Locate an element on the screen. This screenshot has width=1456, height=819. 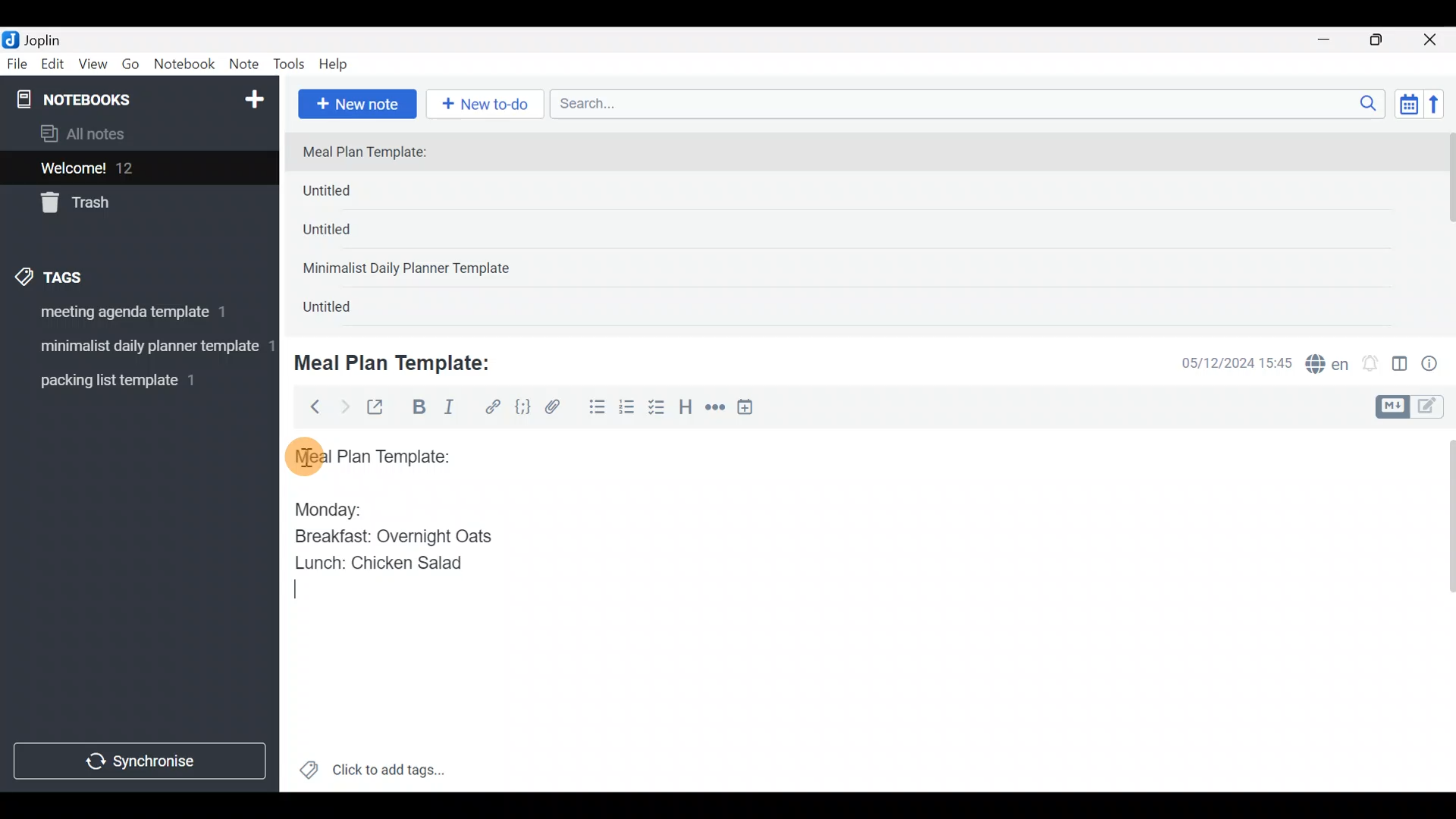
Tag 1 is located at coordinates (135, 316).